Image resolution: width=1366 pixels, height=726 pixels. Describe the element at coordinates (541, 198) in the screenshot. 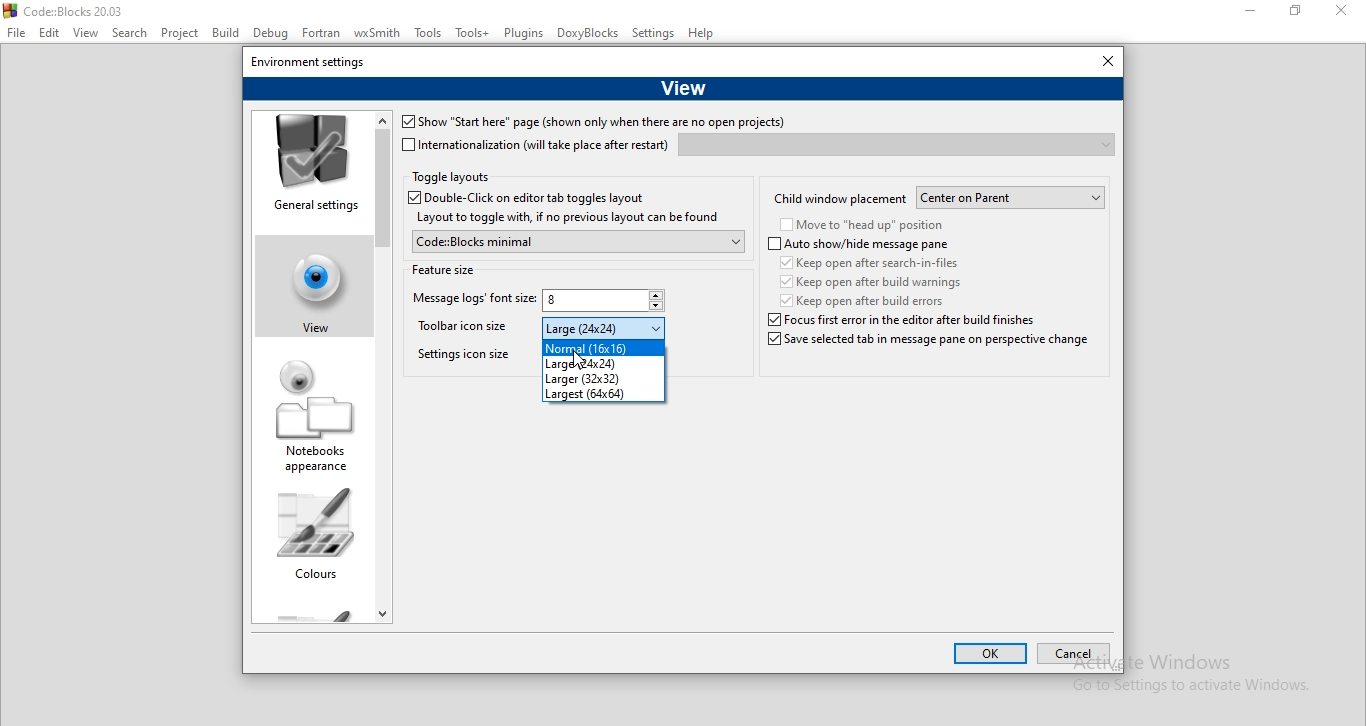

I see `Double-Click on editor tab toggles layout` at that location.